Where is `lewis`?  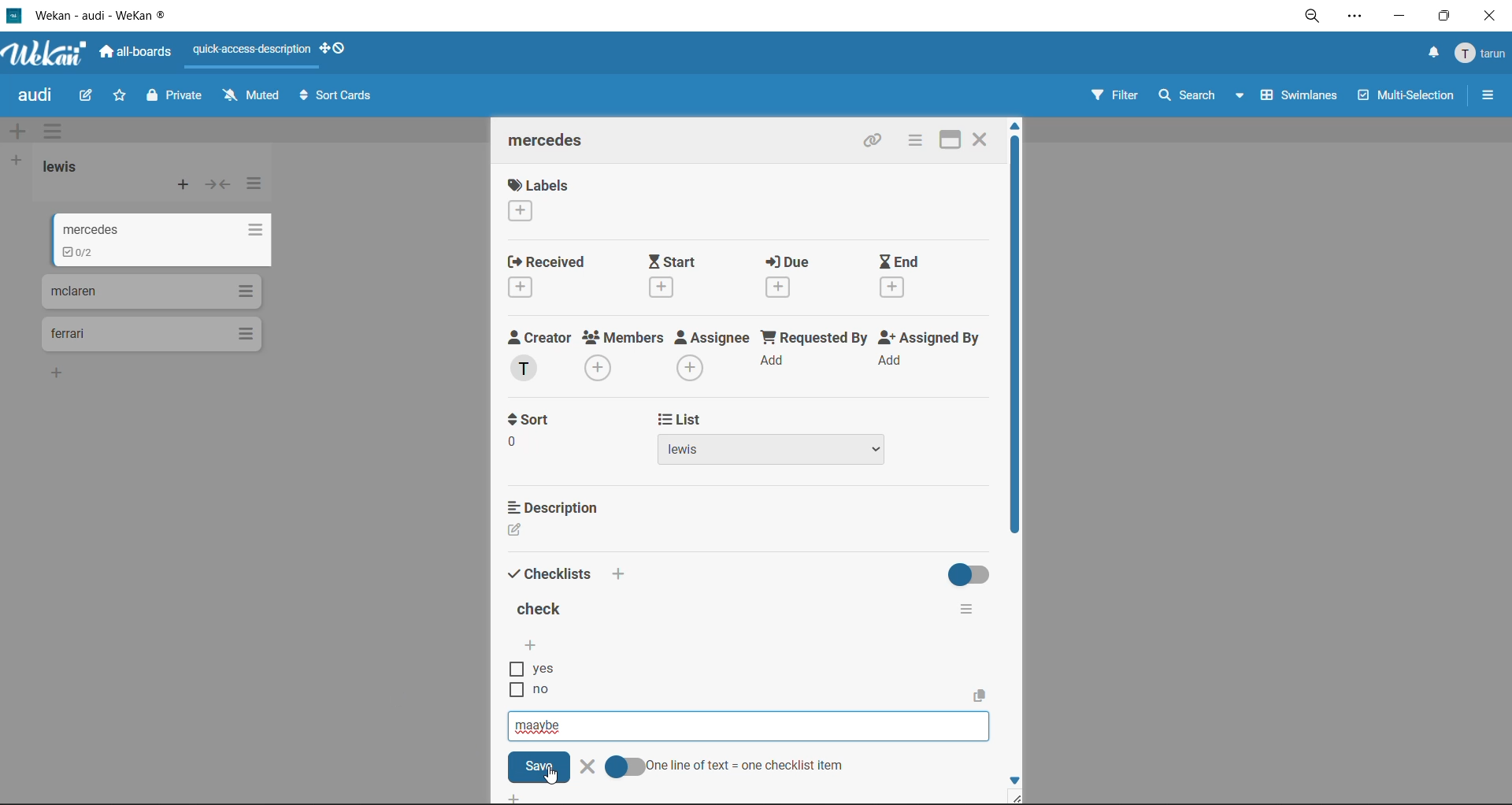
lewis is located at coordinates (772, 451).